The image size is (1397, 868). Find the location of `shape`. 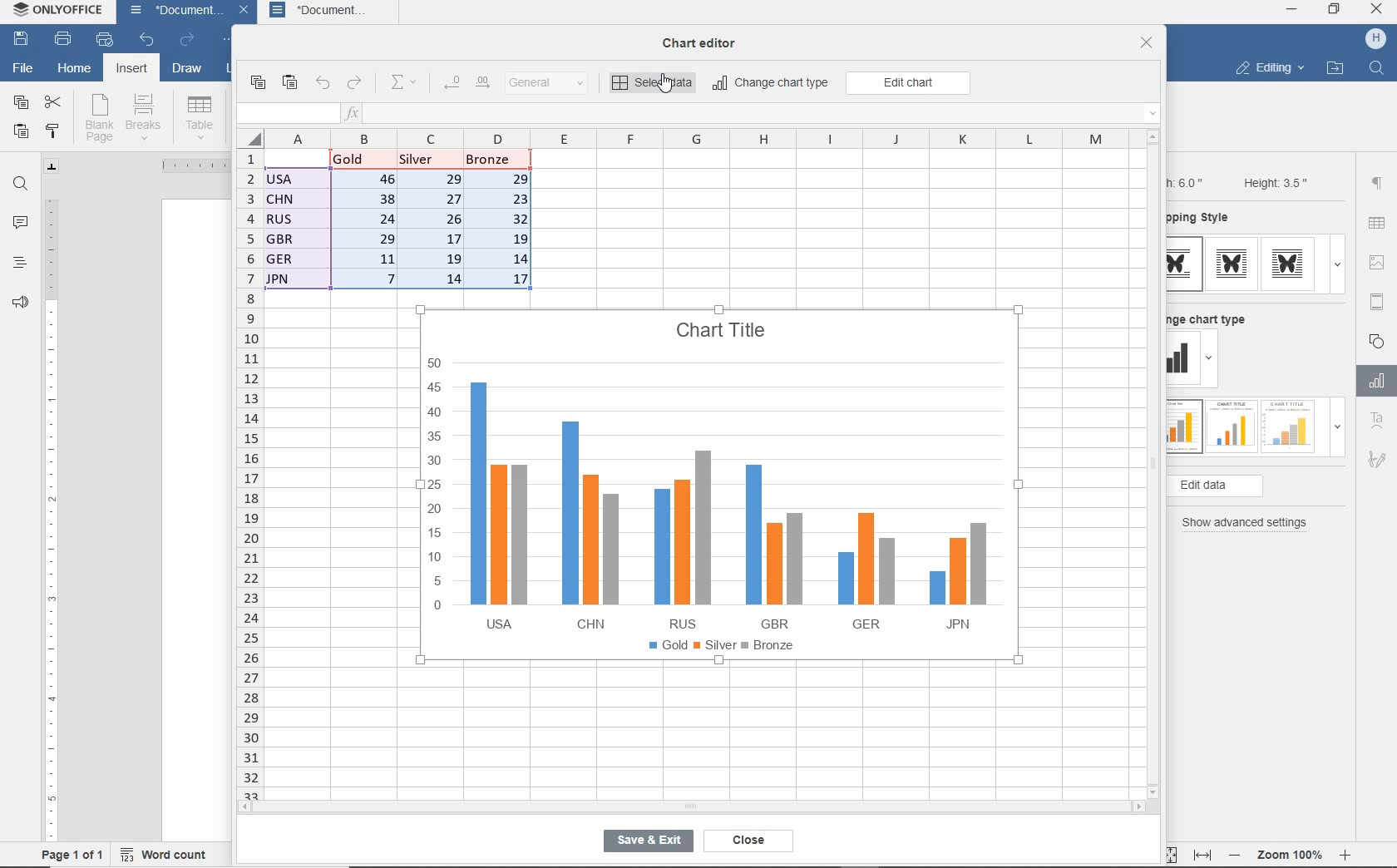

shape is located at coordinates (1376, 341).